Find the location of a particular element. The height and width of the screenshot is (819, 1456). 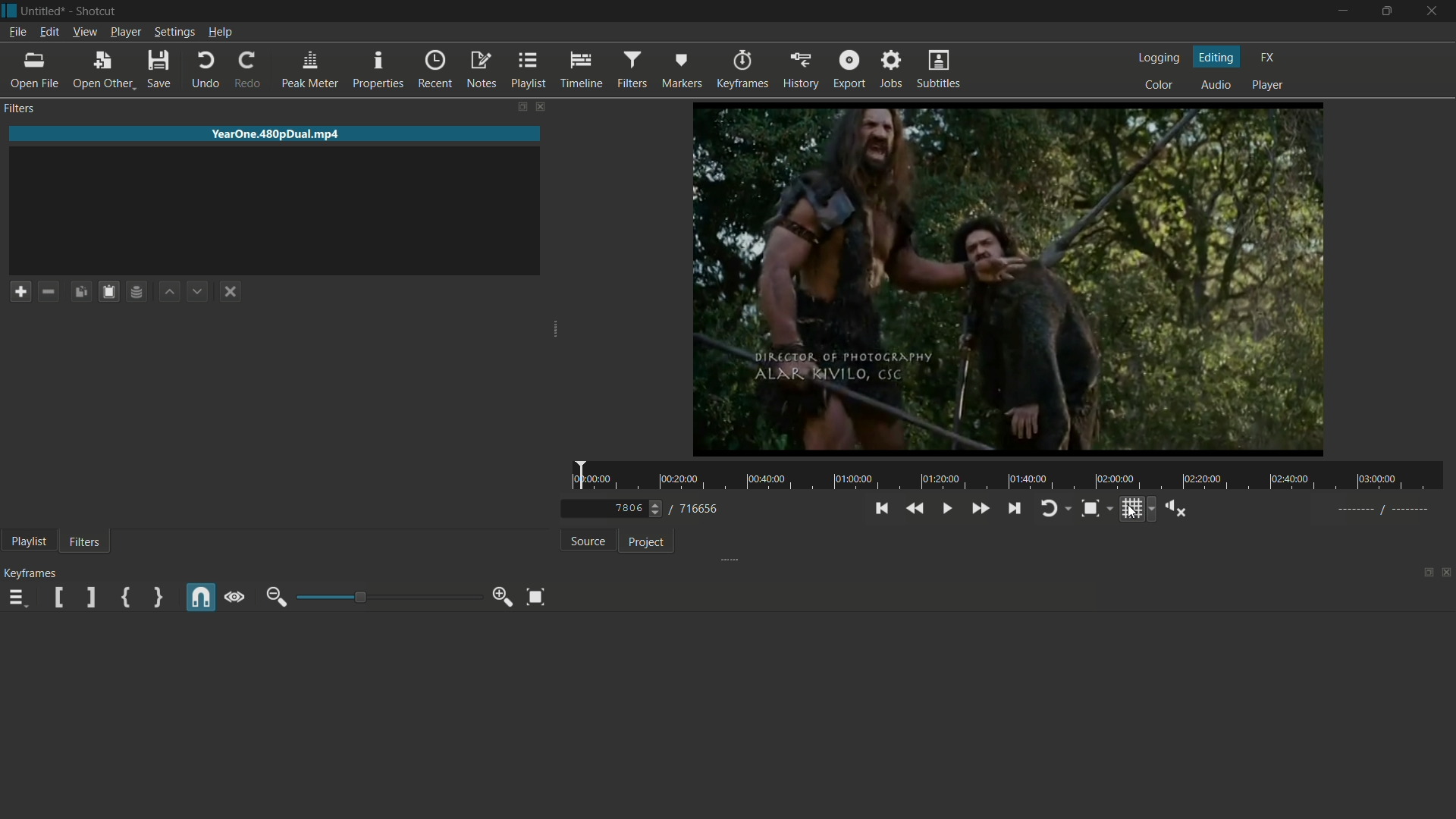

remove a filter is located at coordinates (48, 290).